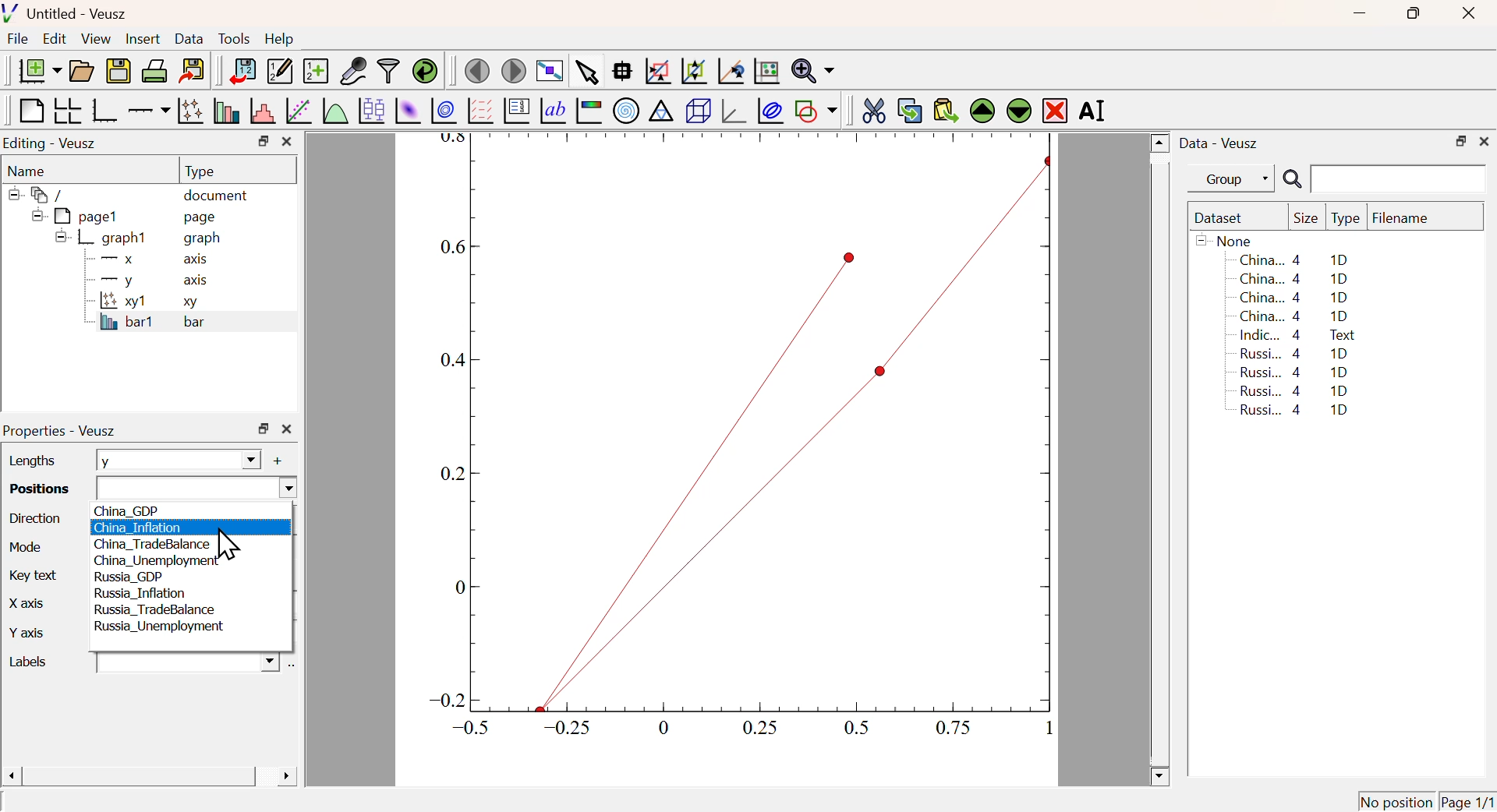 The image size is (1497, 812). What do you see at coordinates (231, 545) in the screenshot?
I see `Cursor` at bounding box center [231, 545].